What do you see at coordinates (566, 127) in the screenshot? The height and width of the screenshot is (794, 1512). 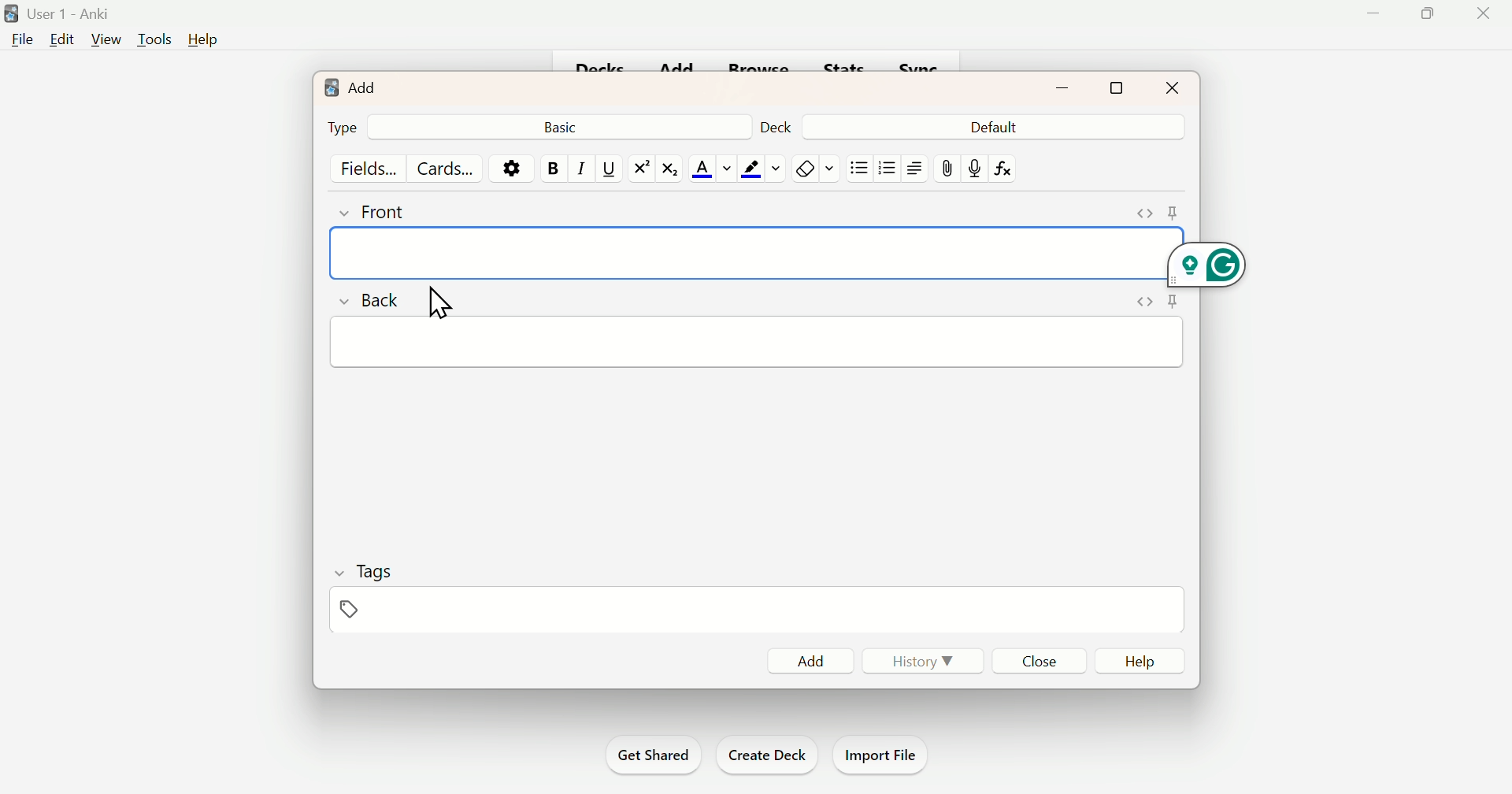 I see `Basic` at bounding box center [566, 127].